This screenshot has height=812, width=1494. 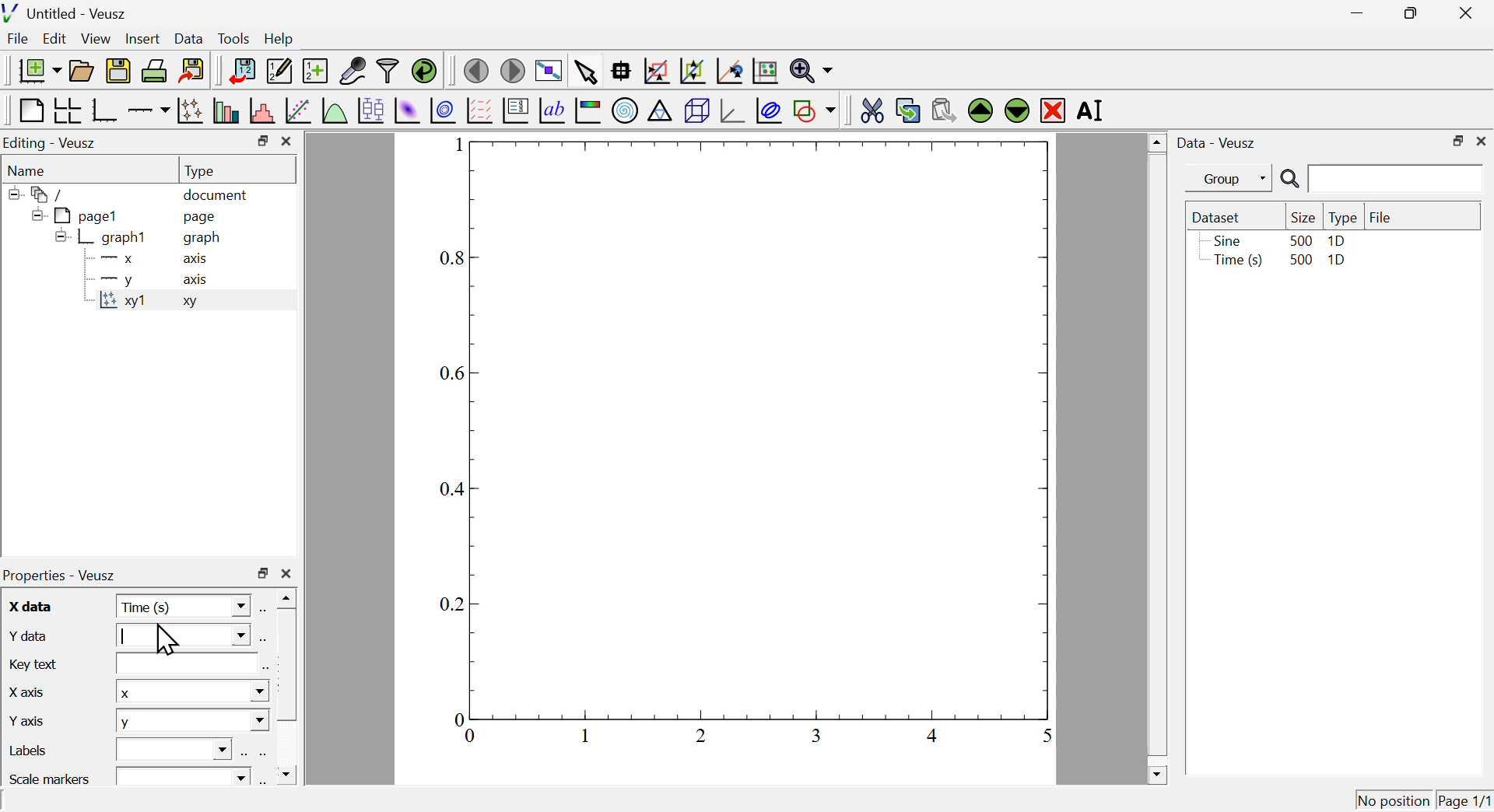 I want to click on text label, so click(x=552, y=113).